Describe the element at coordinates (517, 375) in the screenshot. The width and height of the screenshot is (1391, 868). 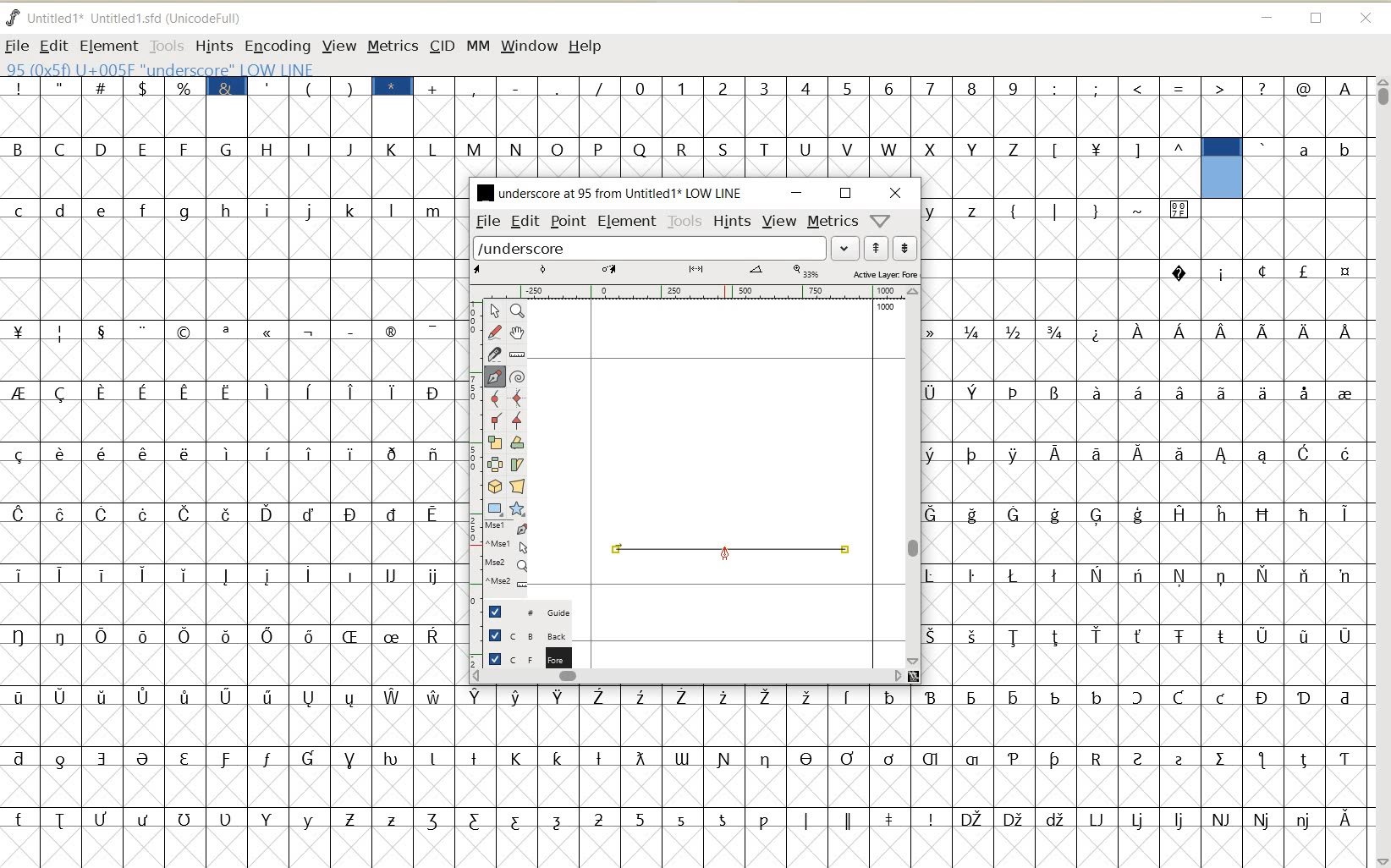
I see `change whether spiro is active or not` at that location.